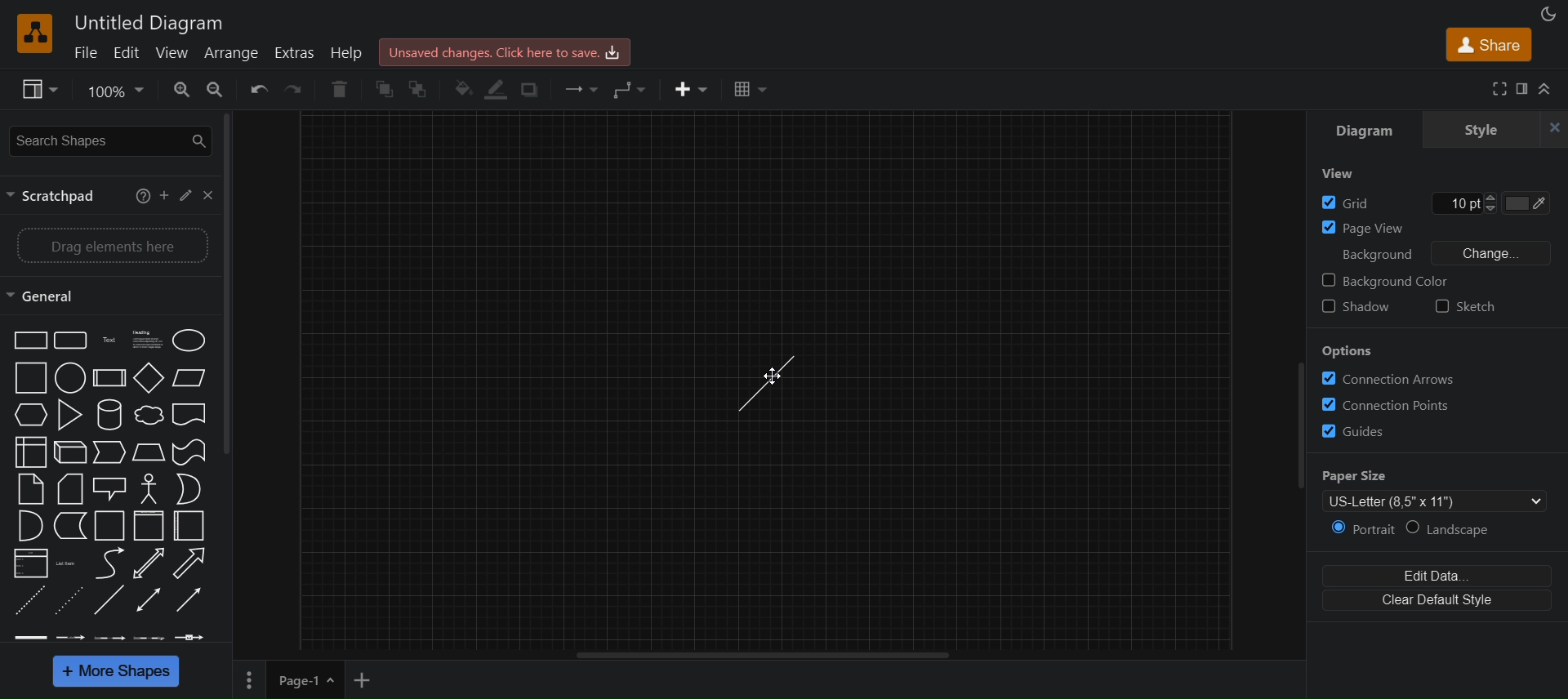 Image resolution: width=1568 pixels, height=699 pixels. Describe the element at coordinates (69, 452) in the screenshot. I see `Cube` at that location.